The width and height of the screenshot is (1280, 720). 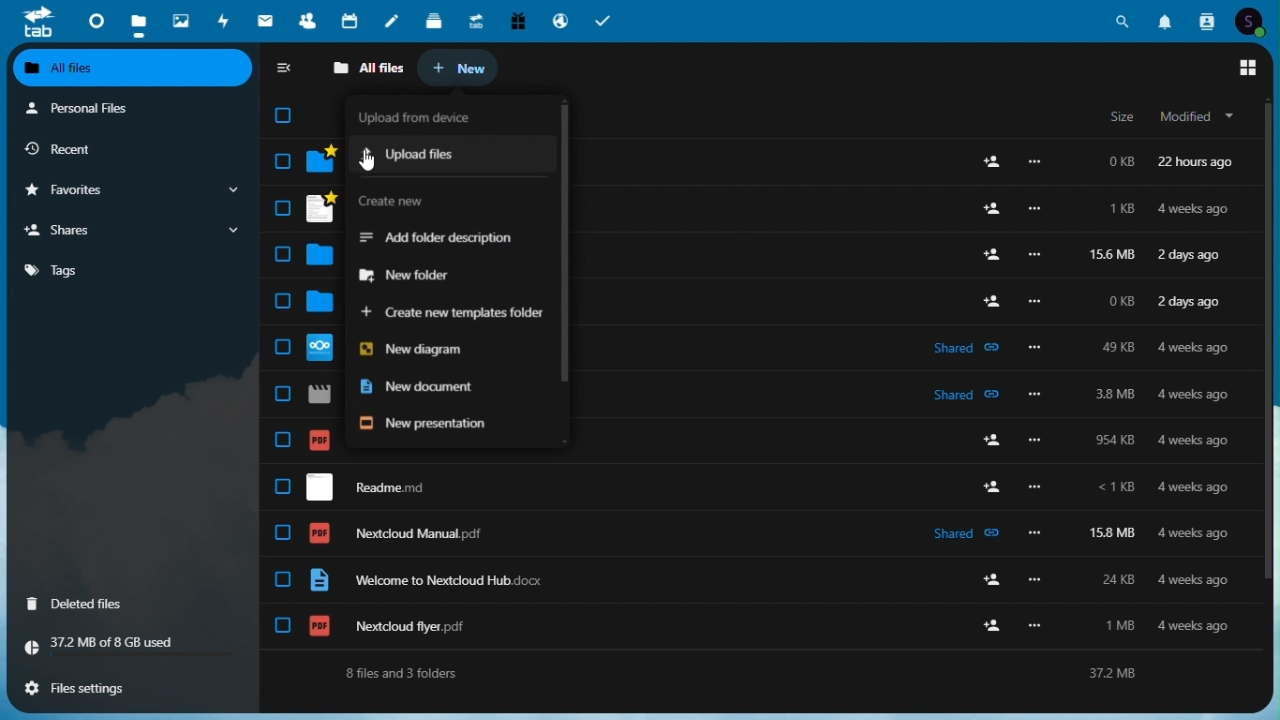 I want to click on check box, so click(x=282, y=486).